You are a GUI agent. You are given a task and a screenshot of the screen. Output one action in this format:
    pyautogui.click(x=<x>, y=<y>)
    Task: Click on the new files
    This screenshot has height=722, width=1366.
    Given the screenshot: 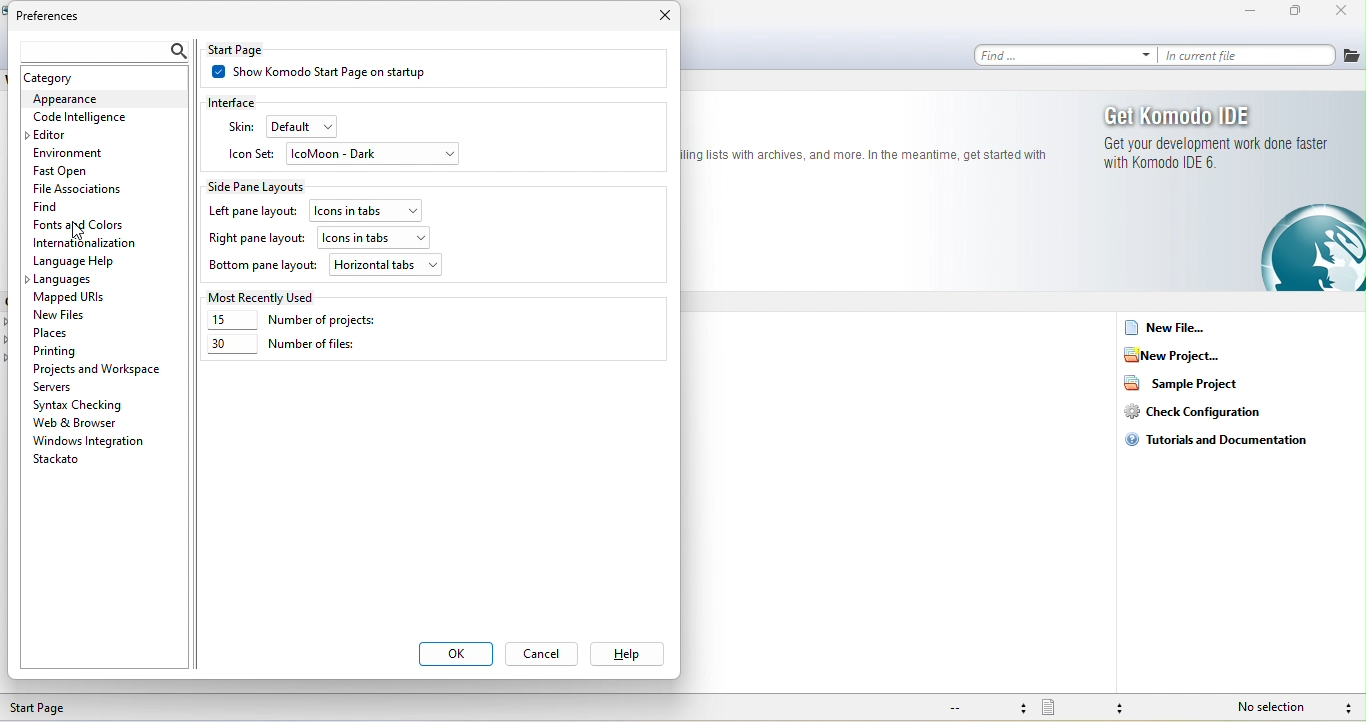 What is the action you would take?
    pyautogui.click(x=65, y=316)
    